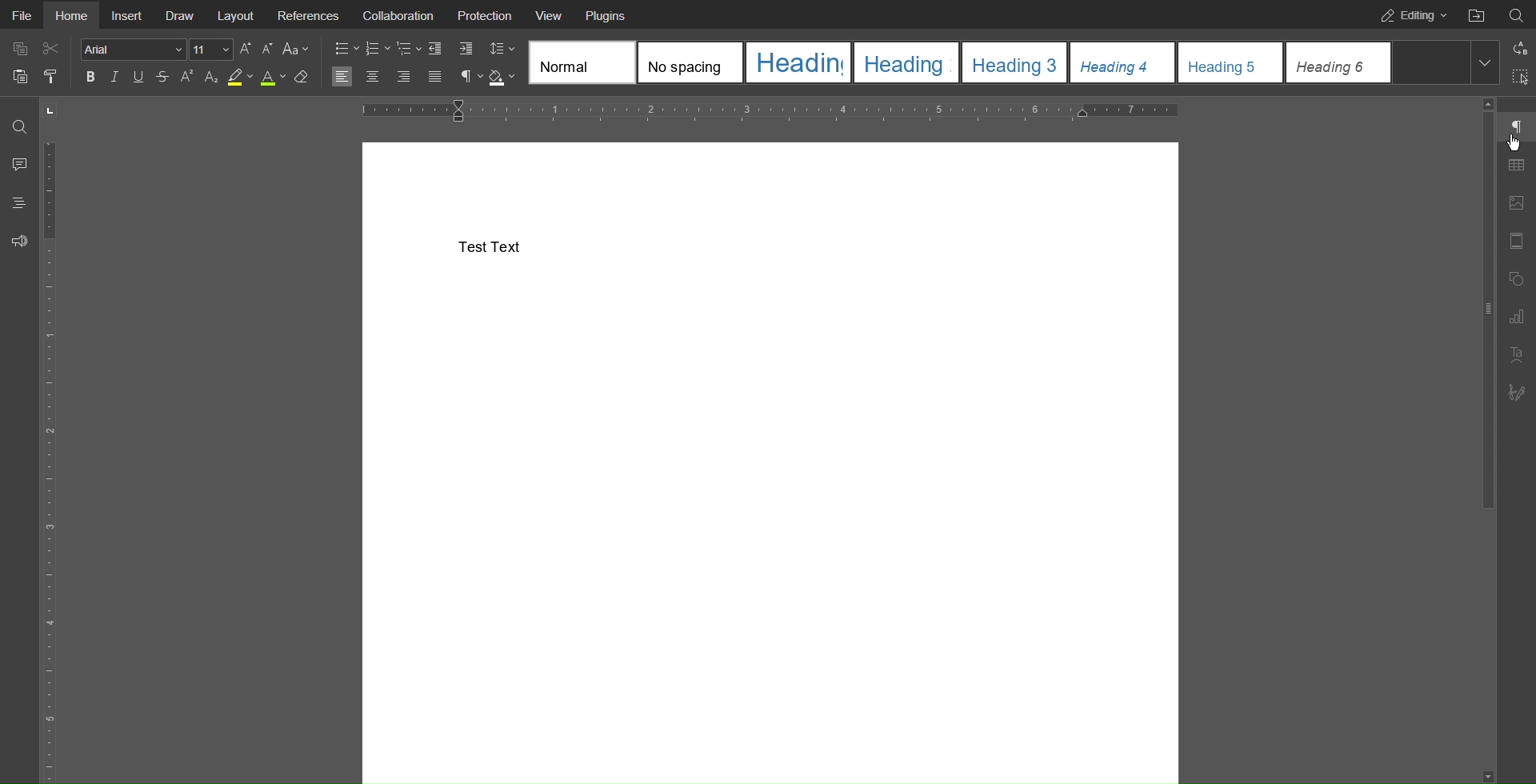 Image resolution: width=1536 pixels, height=784 pixels. I want to click on Collaboration, so click(394, 14).